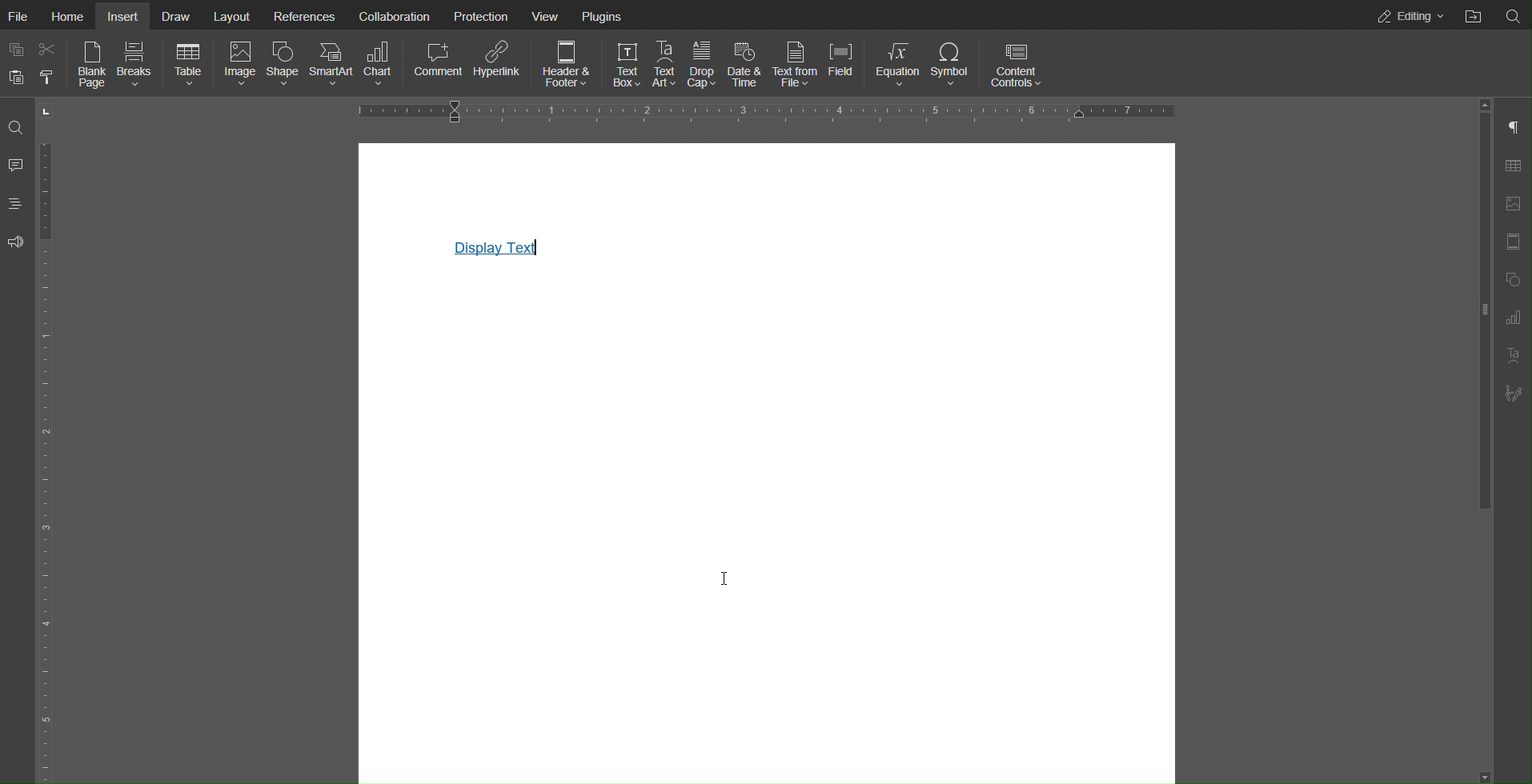  I want to click on Paragraph Settings, so click(1514, 318).